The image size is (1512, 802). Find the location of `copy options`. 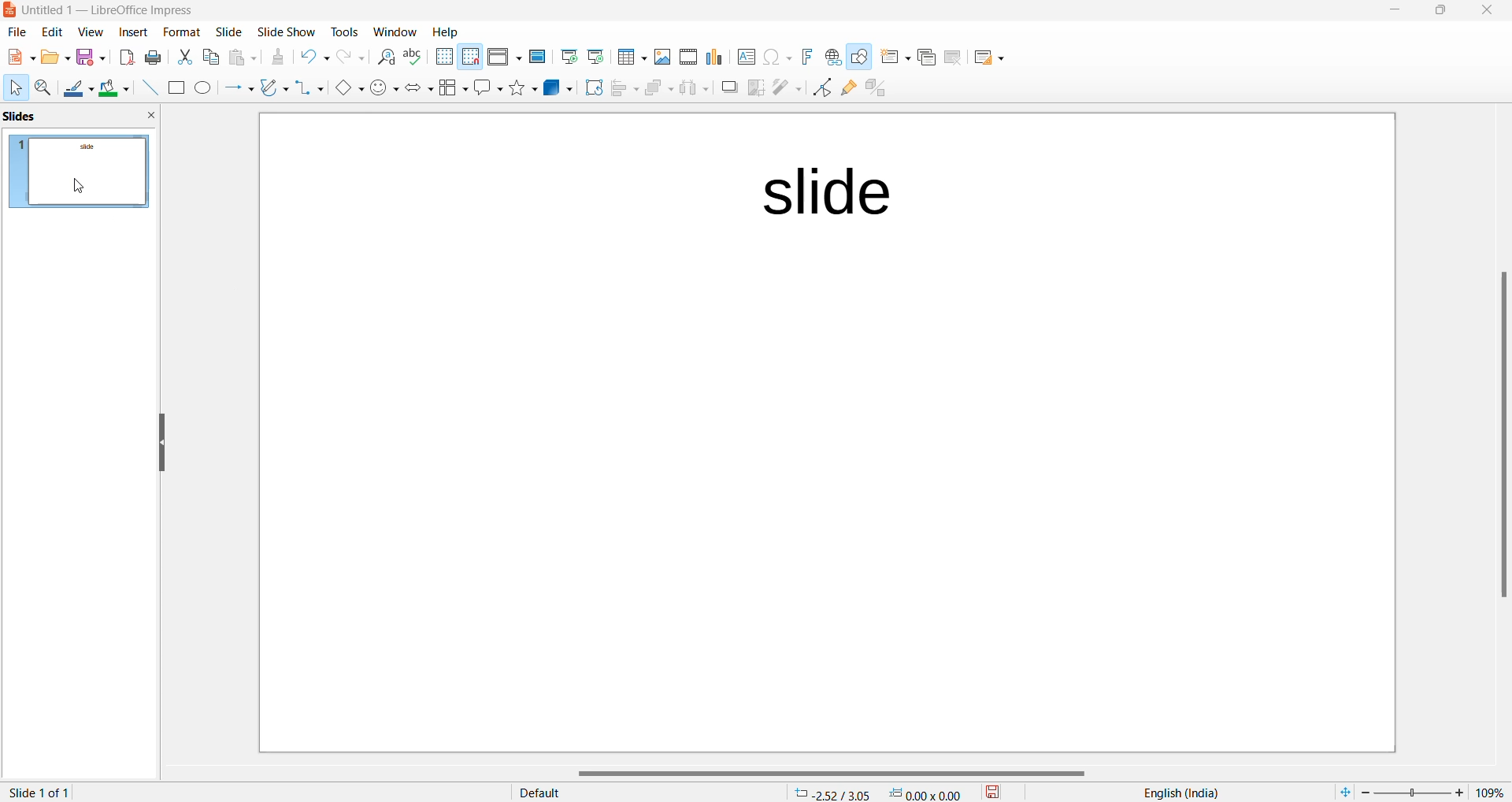

copy options is located at coordinates (212, 58).